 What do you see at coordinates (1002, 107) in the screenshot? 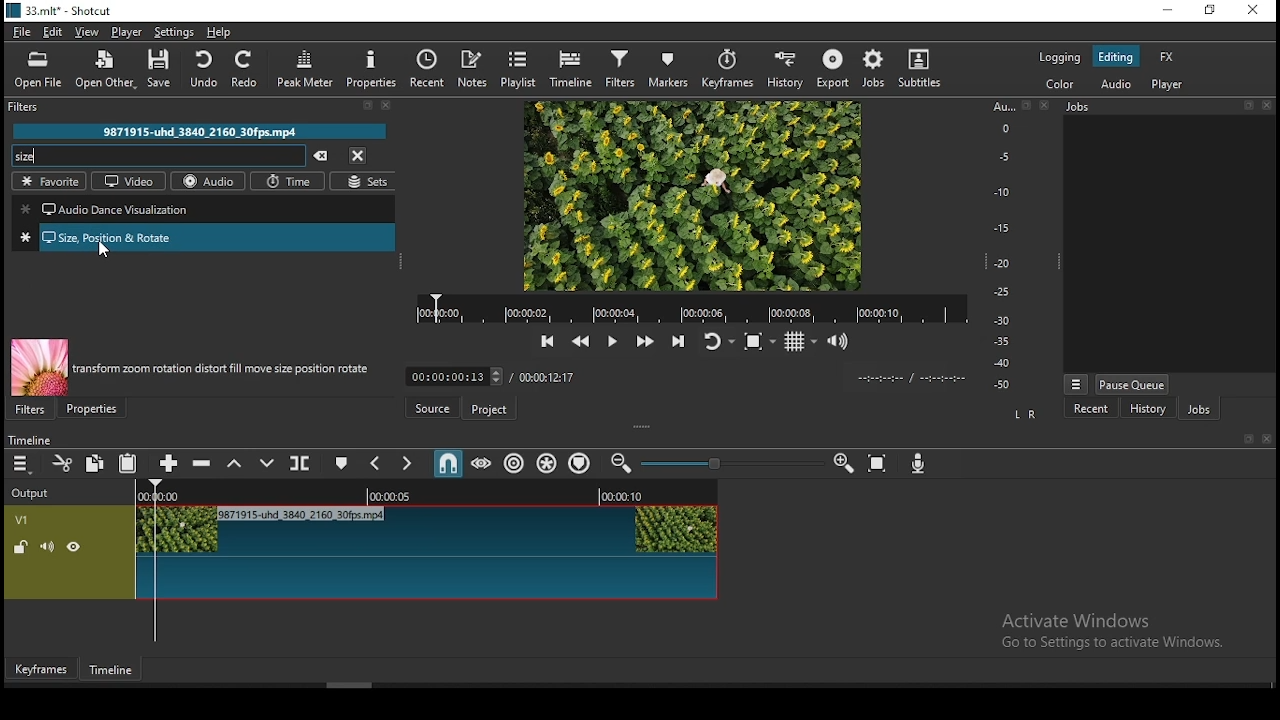
I see `Au...` at bounding box center [1002, 107].